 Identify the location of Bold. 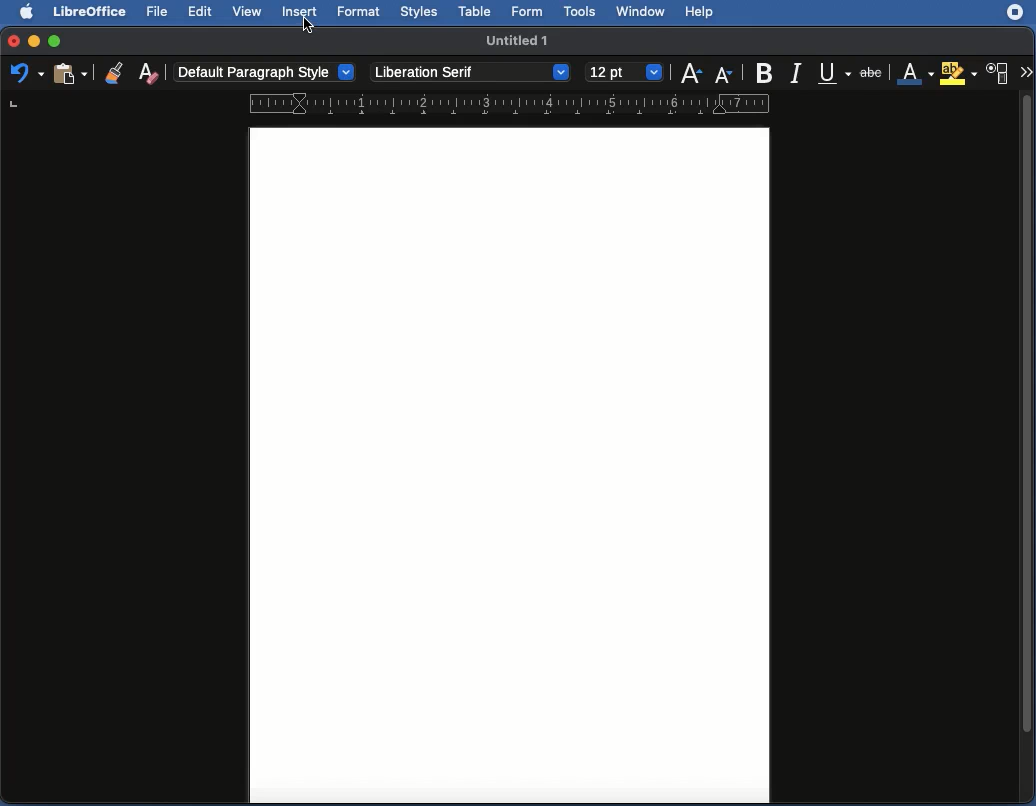
(766, 72).